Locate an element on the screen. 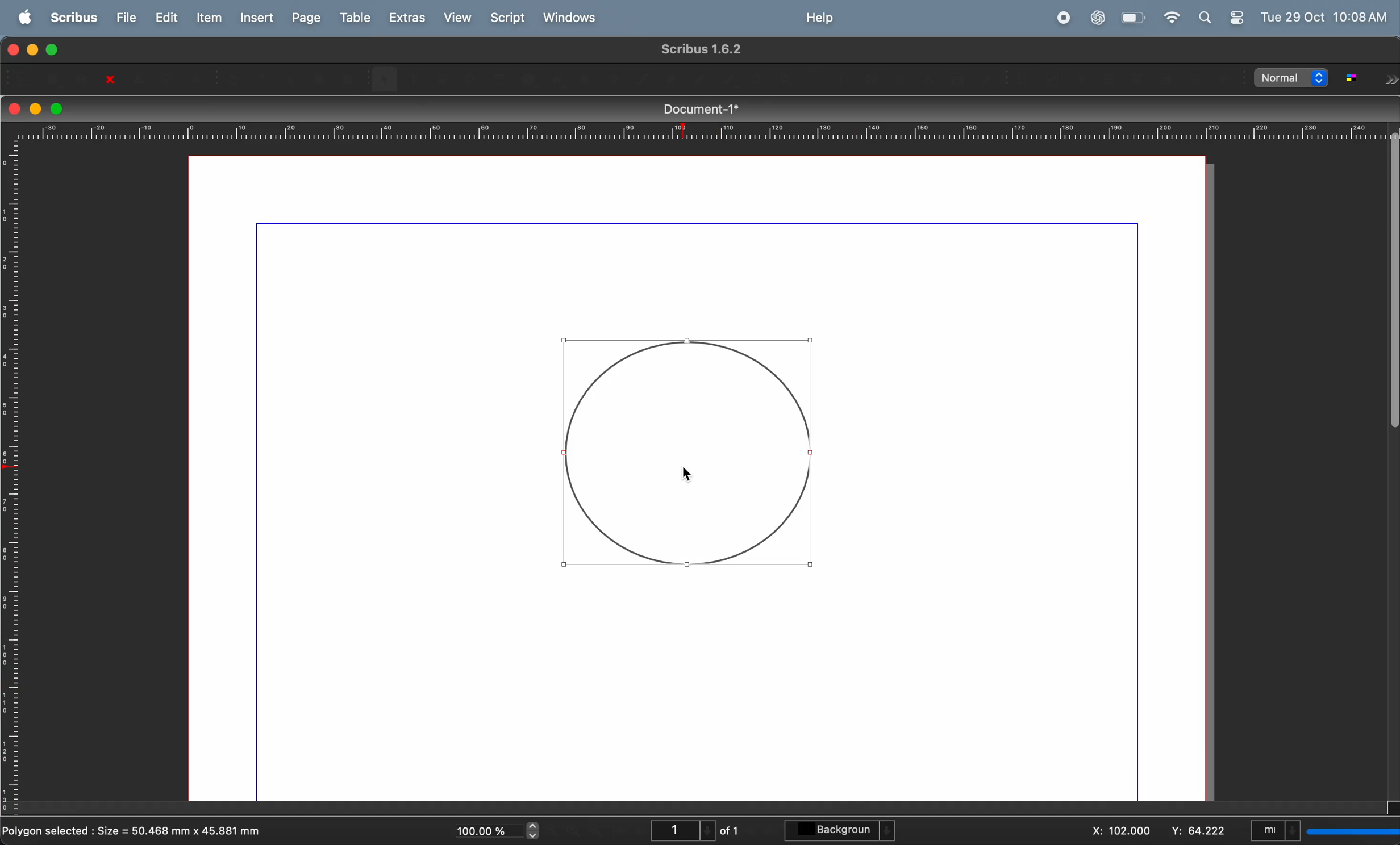 The image size is (1400, 845). x co ordinate is located at coordinates (1119, 829).